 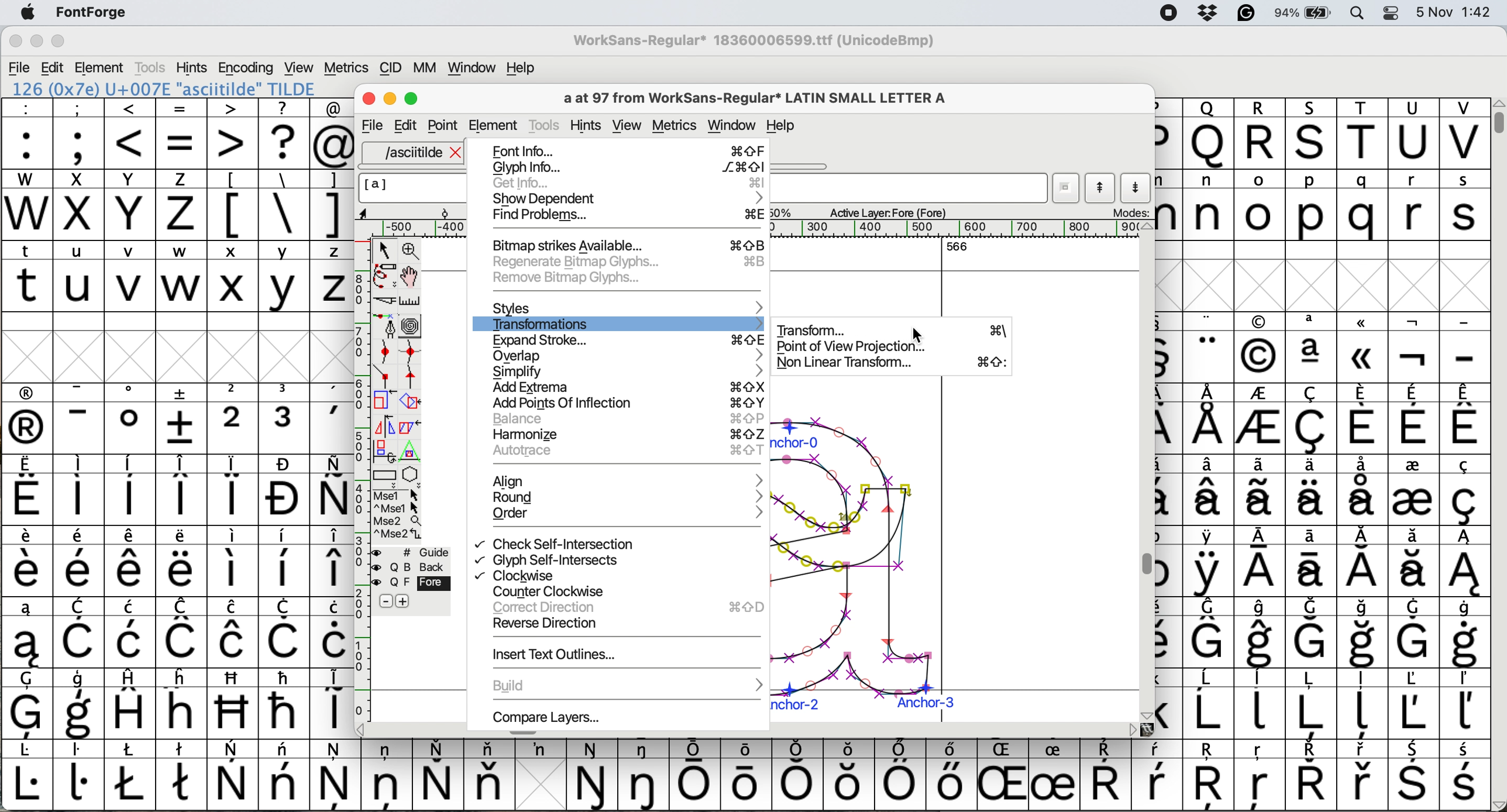 What do you see at coordinates (35, 42) in the screenshot?
I see `minimise` at bounding box center [35, 42].